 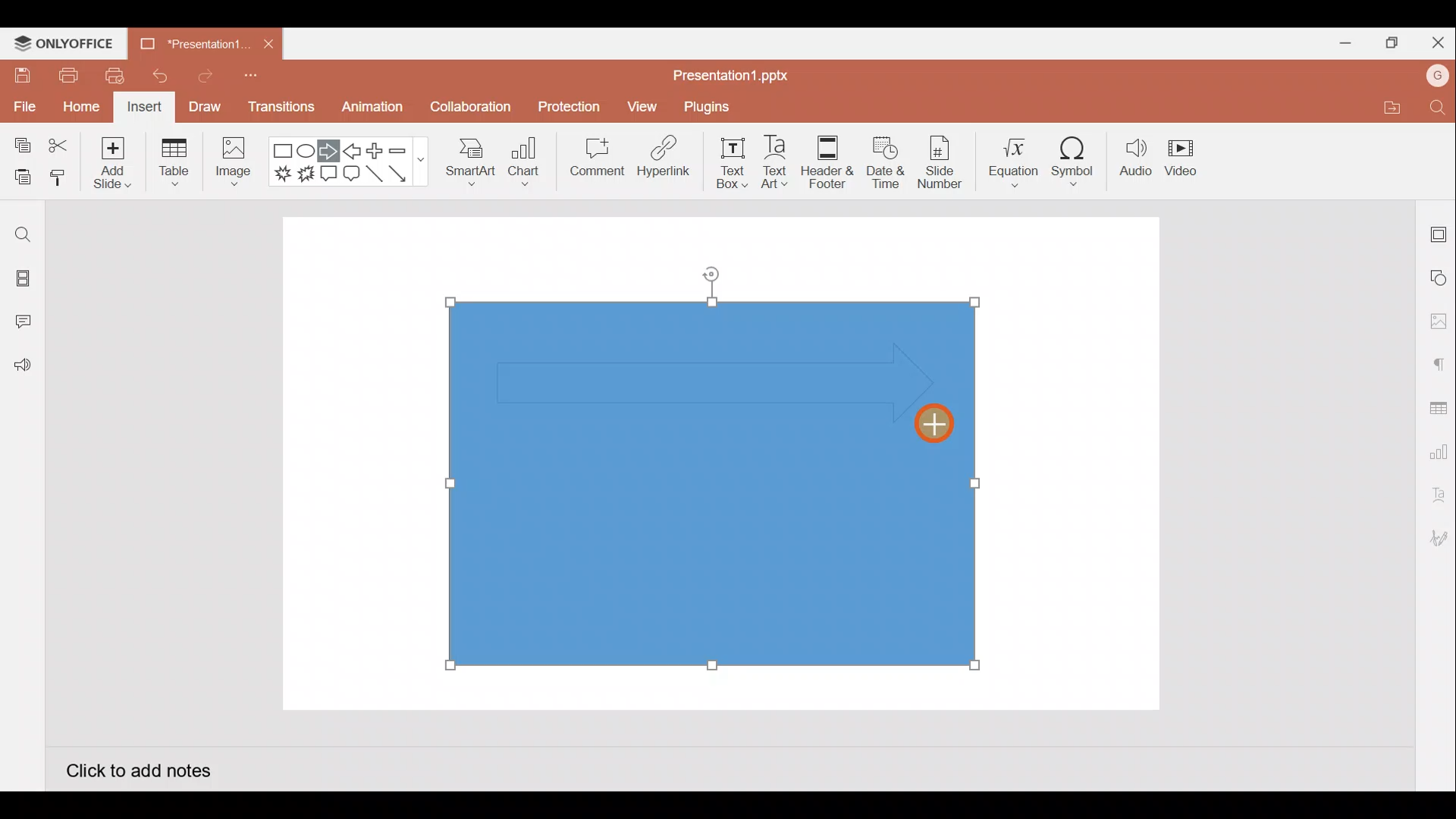 What do you see at coordinates (204, 106) in the screenshot?
I see `Draw` at bounding box center [204, 106].